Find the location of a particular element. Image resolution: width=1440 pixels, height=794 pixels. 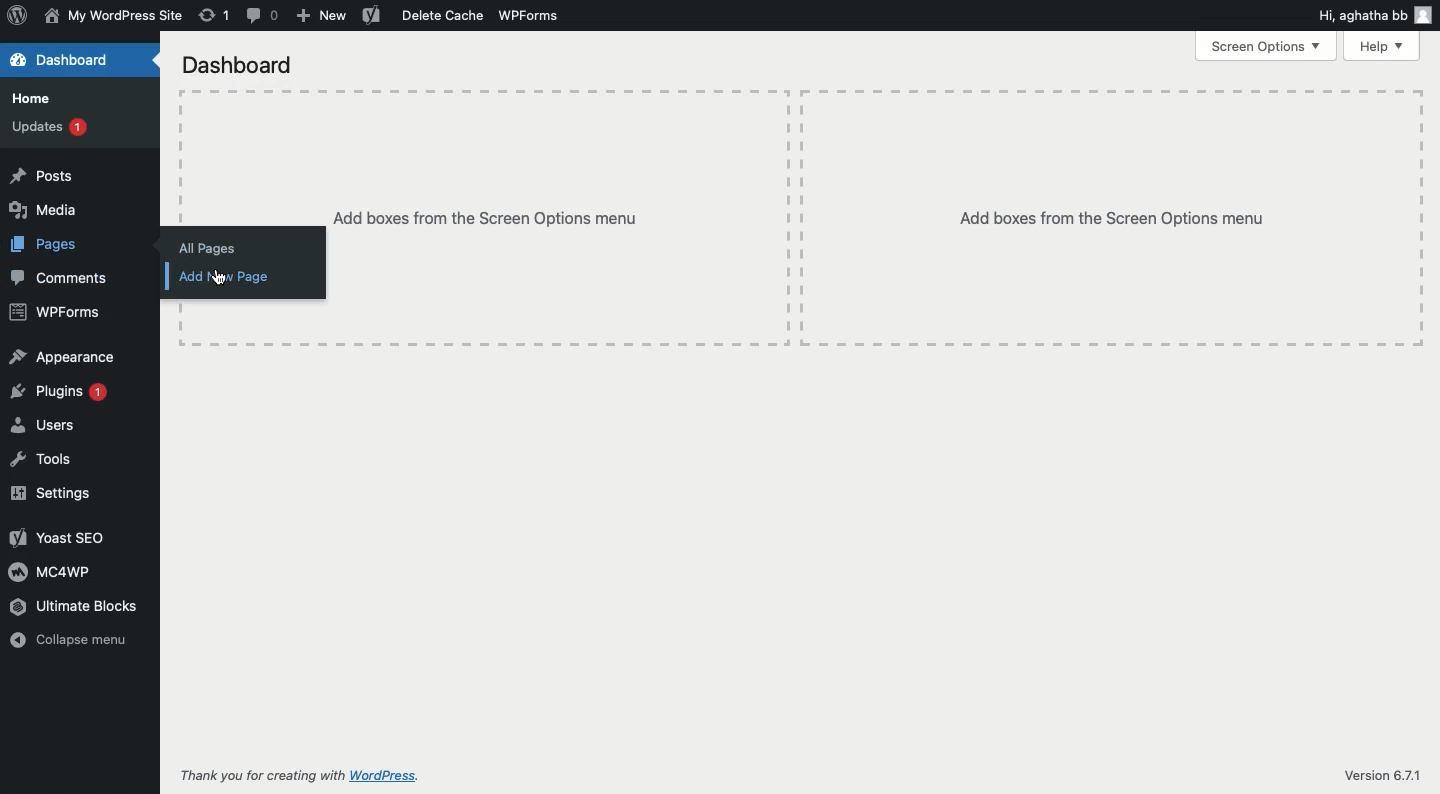

Users is located at coordinates (41, 425).